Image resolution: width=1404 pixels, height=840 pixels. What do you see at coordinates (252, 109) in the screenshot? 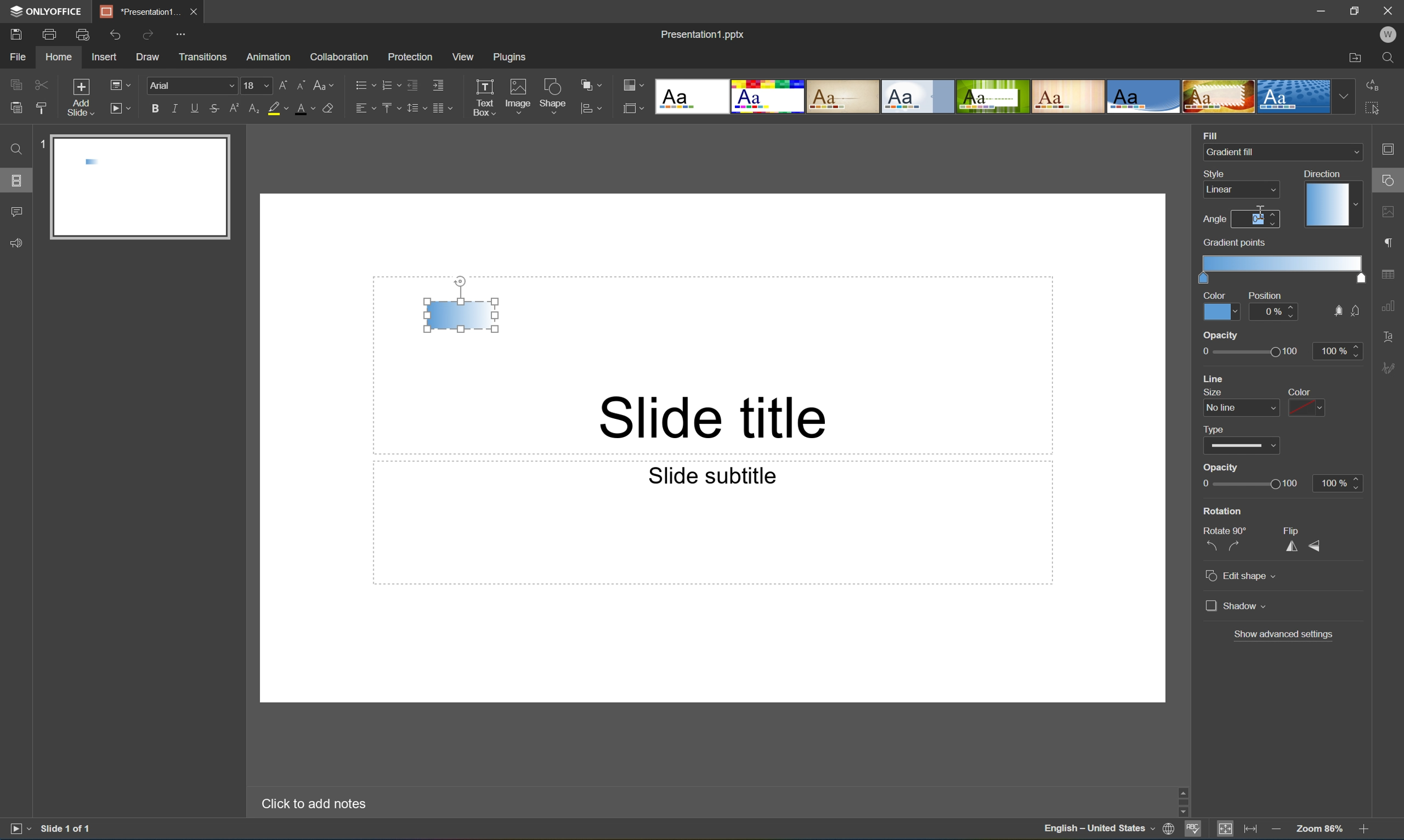
I see `Subscript` at bounding box center [252, 109].